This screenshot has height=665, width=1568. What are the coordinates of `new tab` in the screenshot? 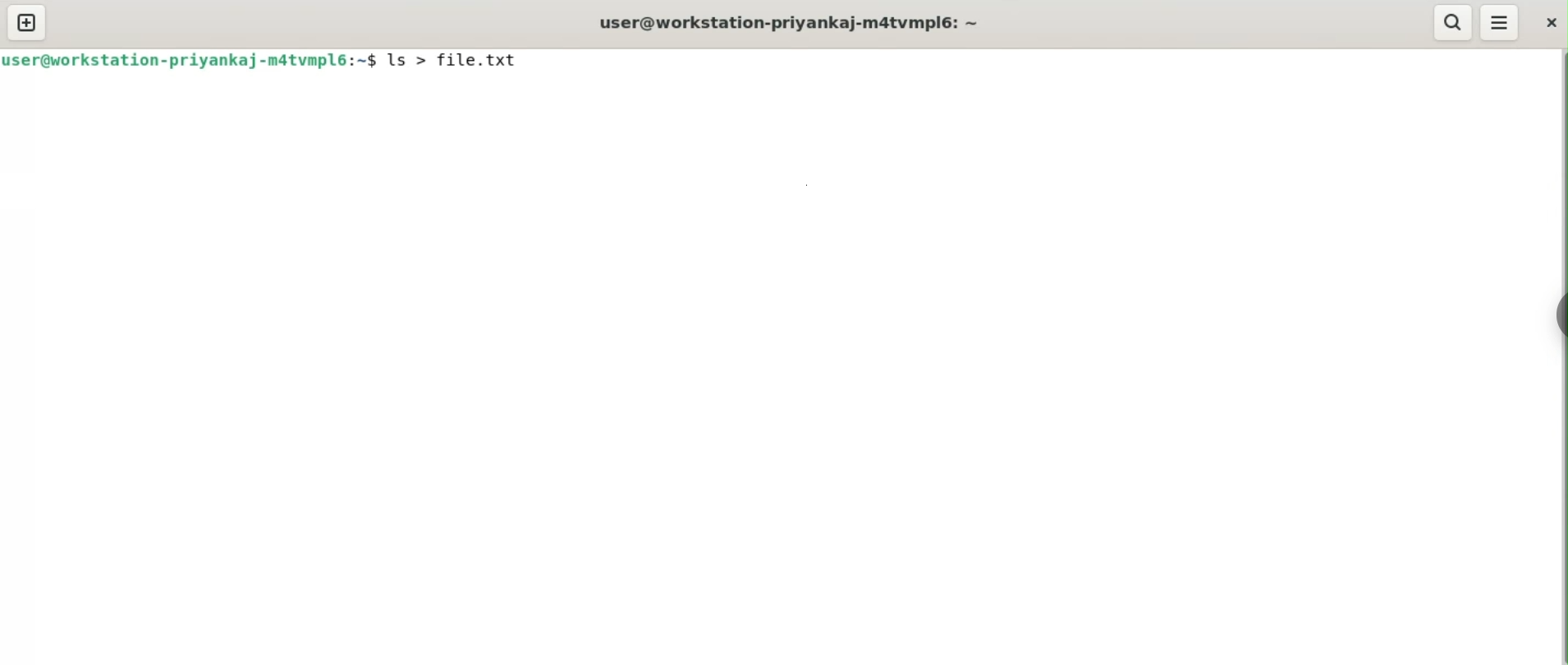 It's located at (28, 22).